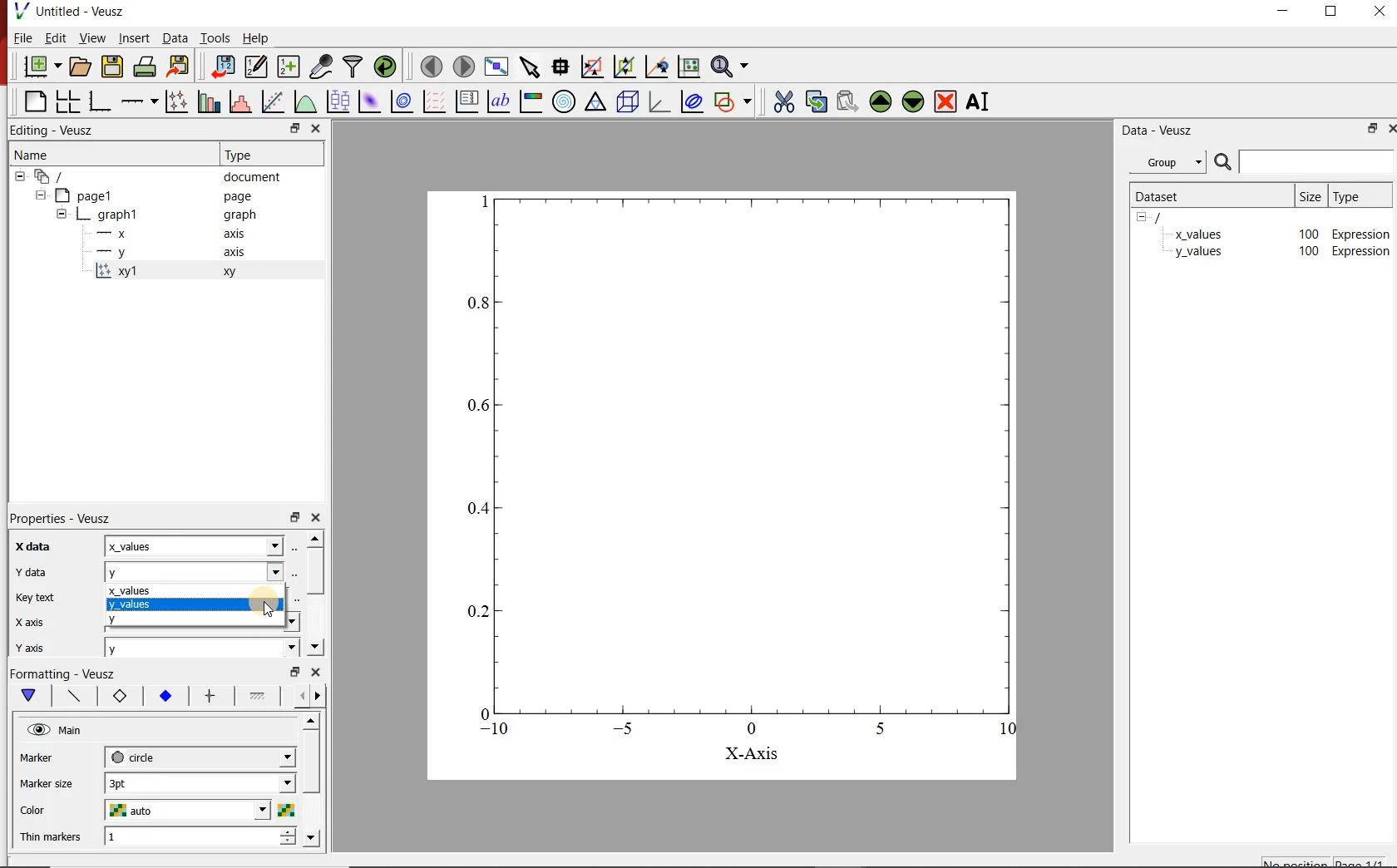 The image size is (1397, 868). What do you see at coordinates (353, 67) in the screenshot?
I see `filter data` at bounding box center [353, 67].